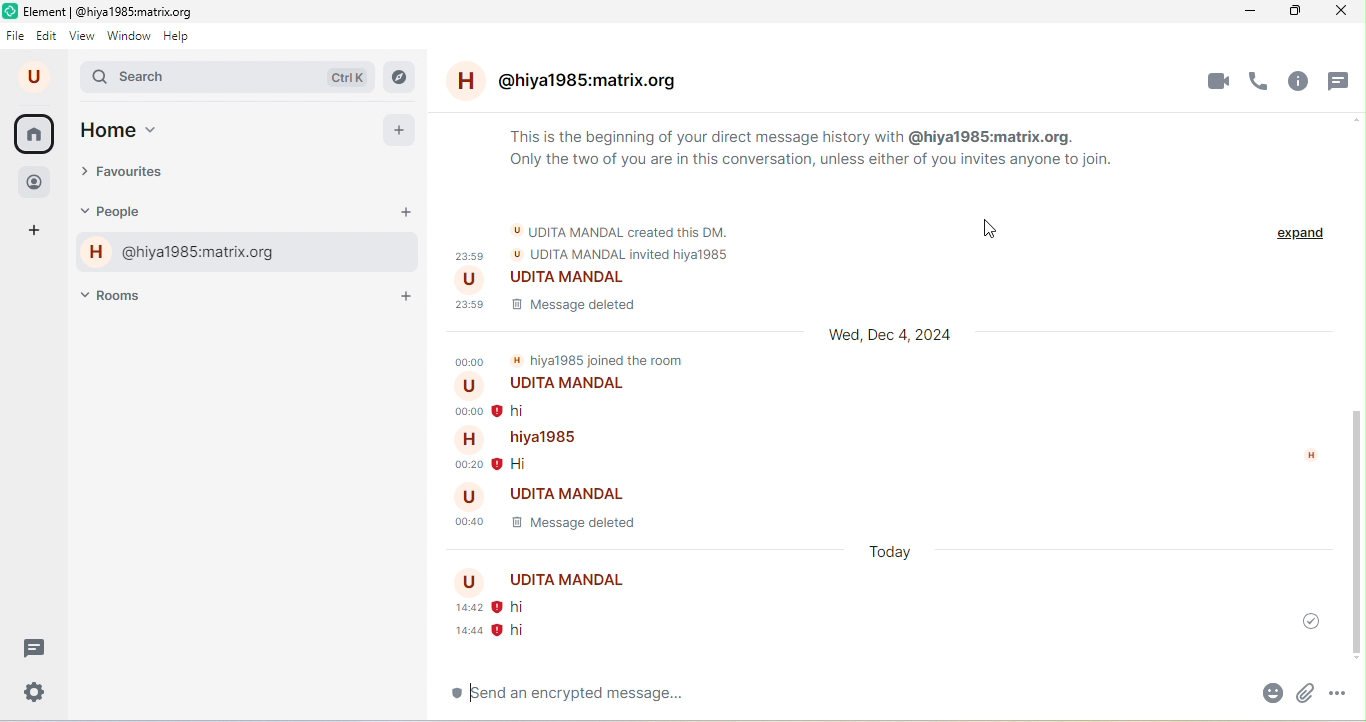  I want to click on room info, so click(1302, 81).